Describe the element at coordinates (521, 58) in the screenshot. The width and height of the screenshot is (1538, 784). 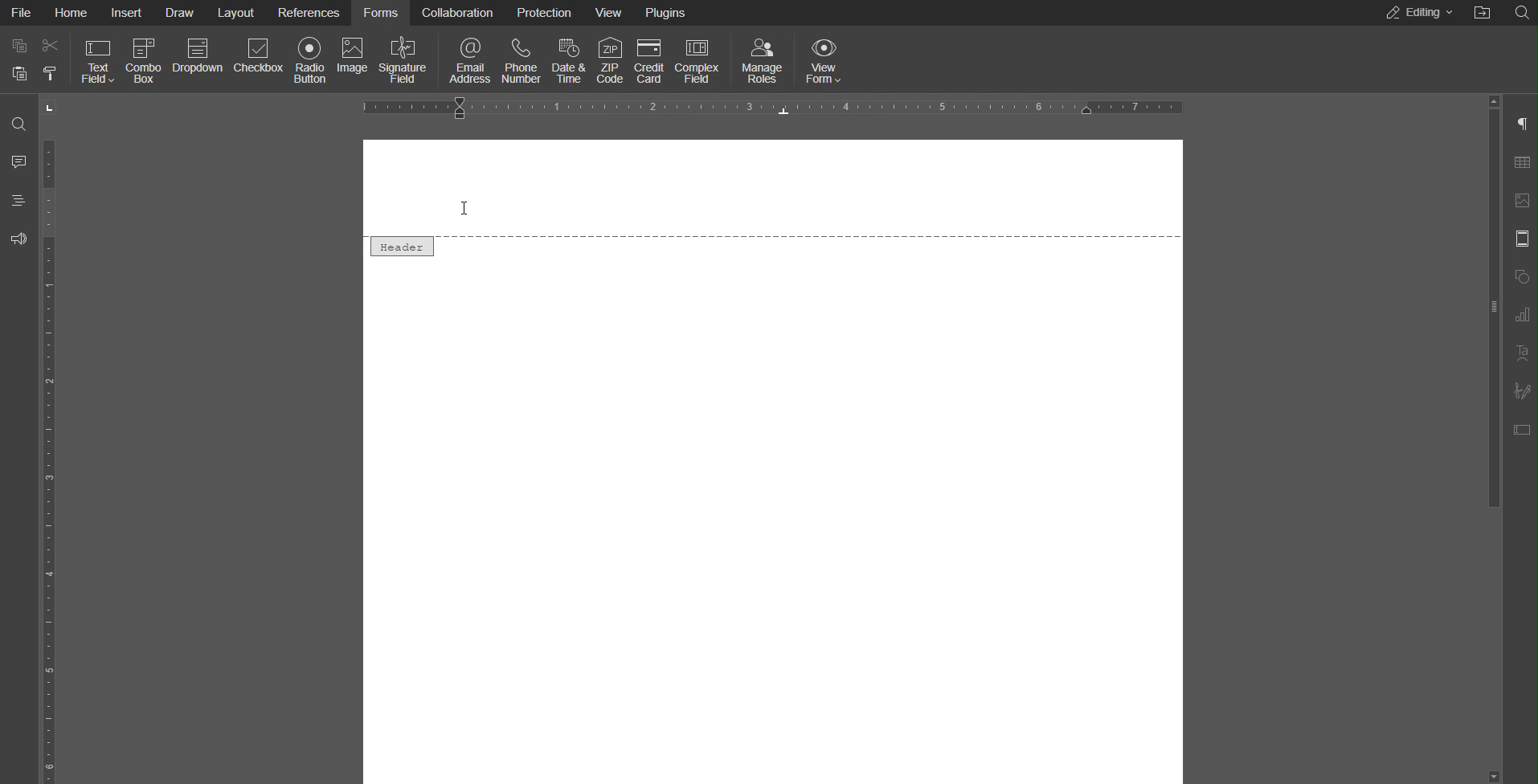
I see `Phone Number` at that location.